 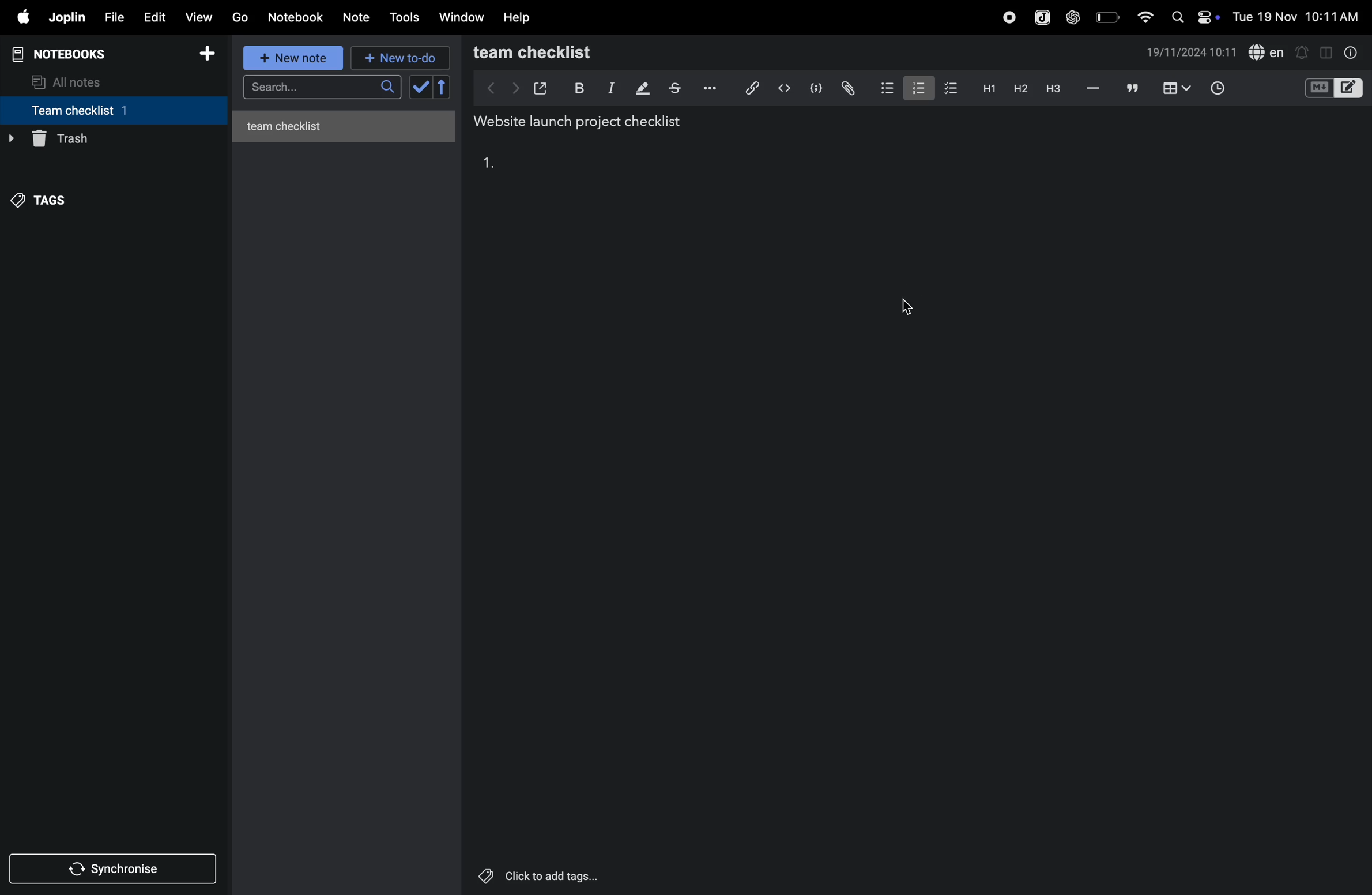 I want to click on new note, so click(x=295, y=59).